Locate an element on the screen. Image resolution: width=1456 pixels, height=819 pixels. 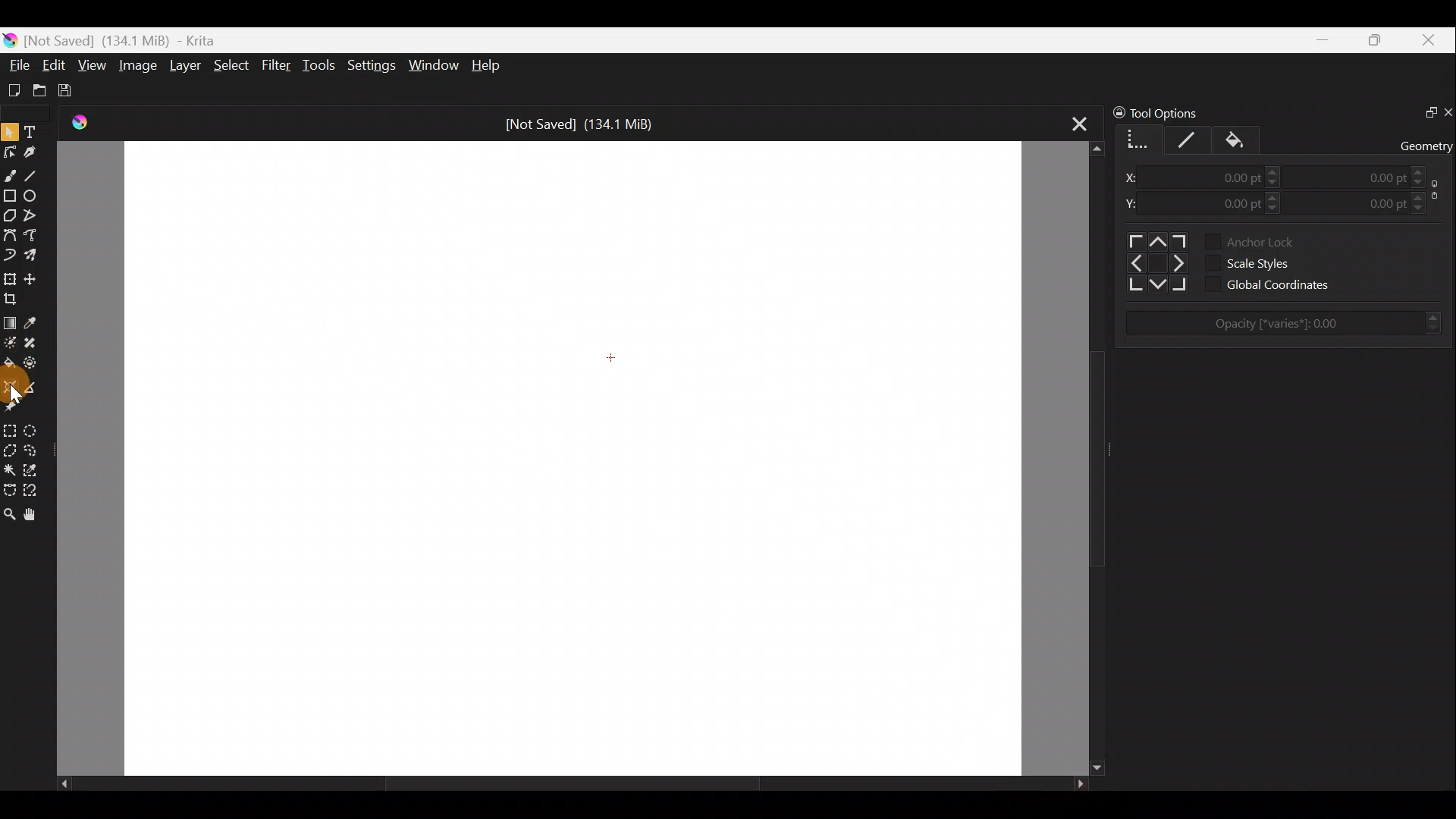
Global coordinates is located at coordinates (1280, 285).